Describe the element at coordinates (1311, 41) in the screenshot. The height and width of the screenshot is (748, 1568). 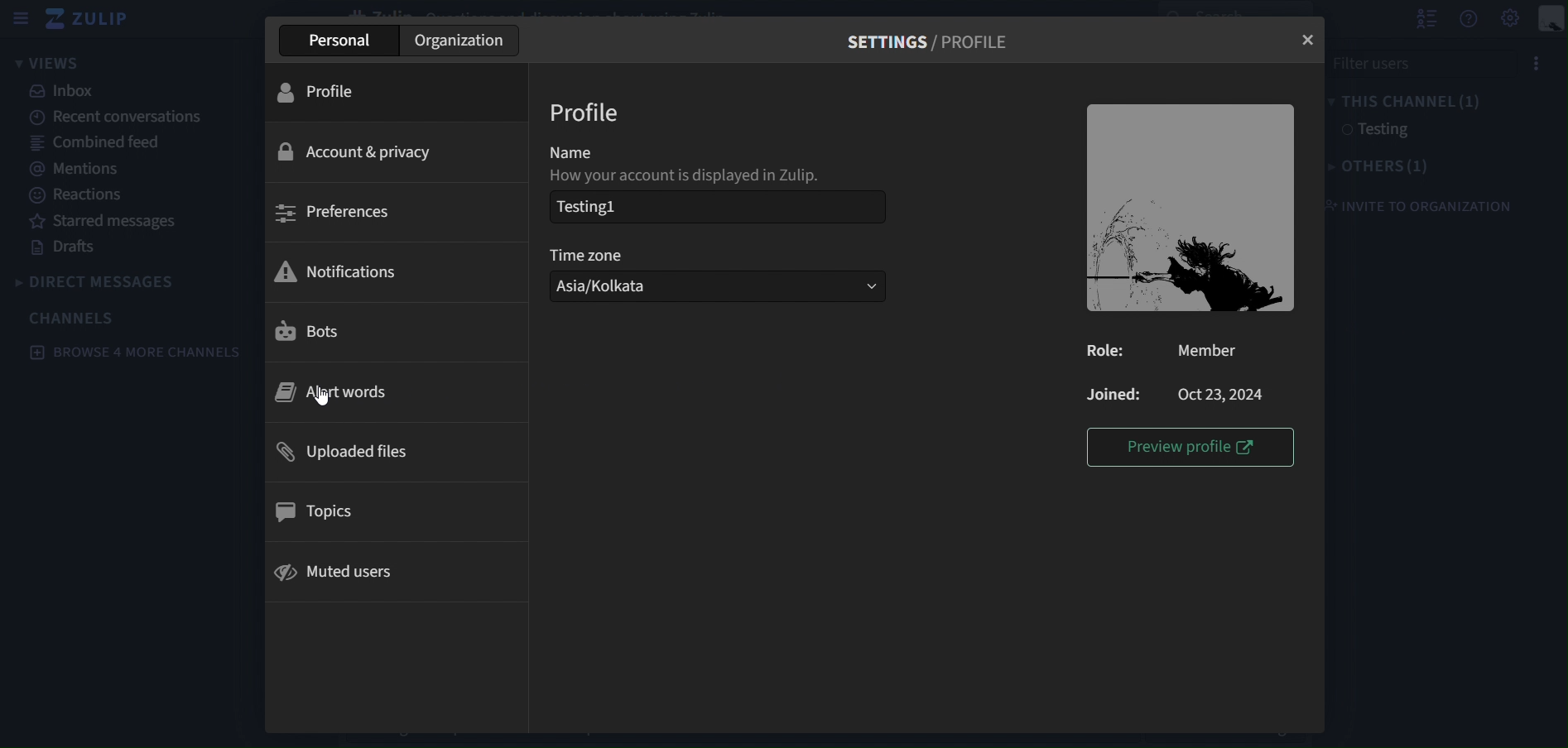
I see `close` at that location.